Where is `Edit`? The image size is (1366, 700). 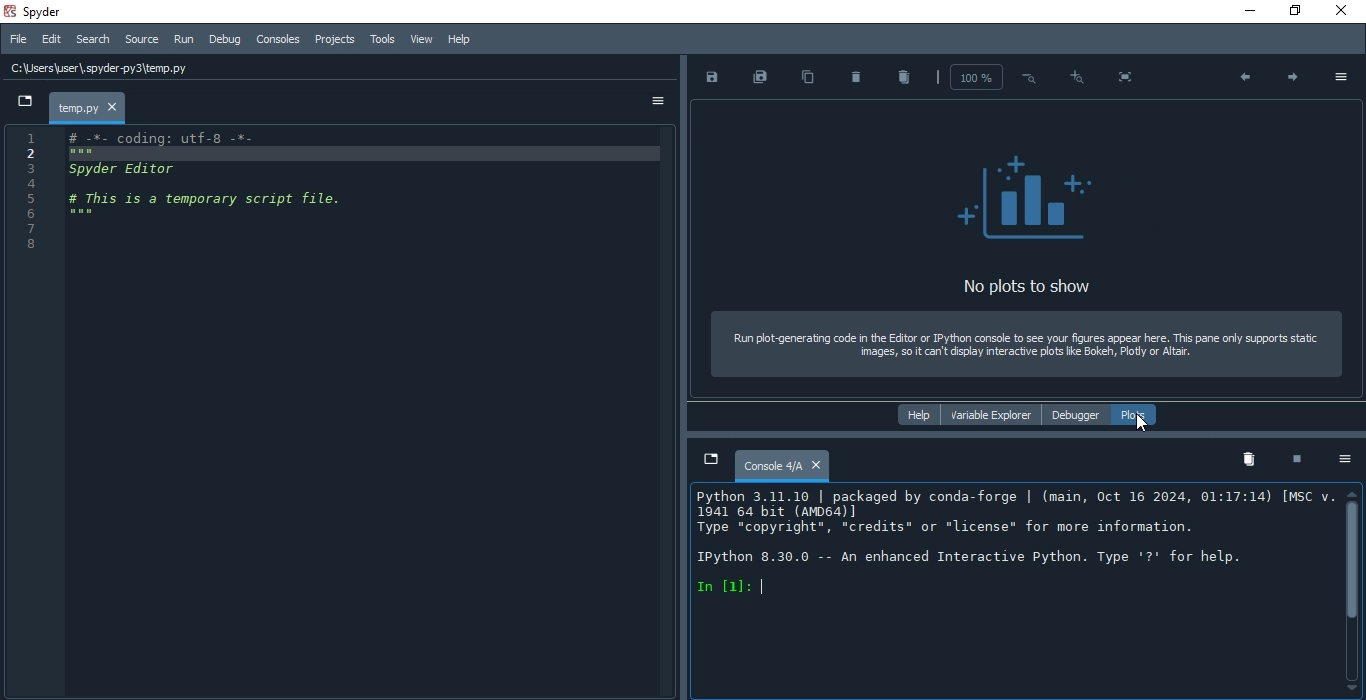
Edit is located at coordinates (49, 40).